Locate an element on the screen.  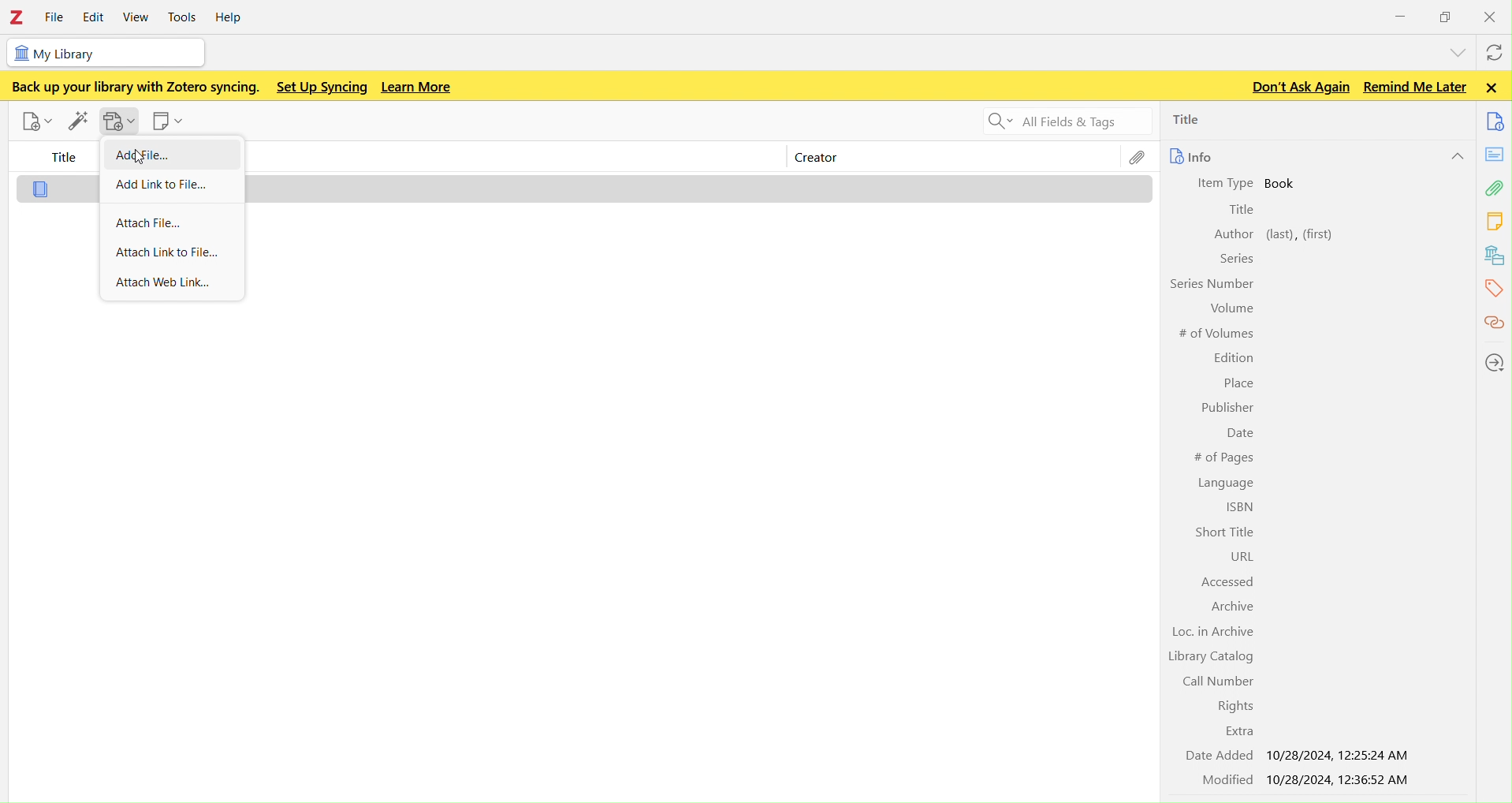
URL is located at coordinates (1238, 555).